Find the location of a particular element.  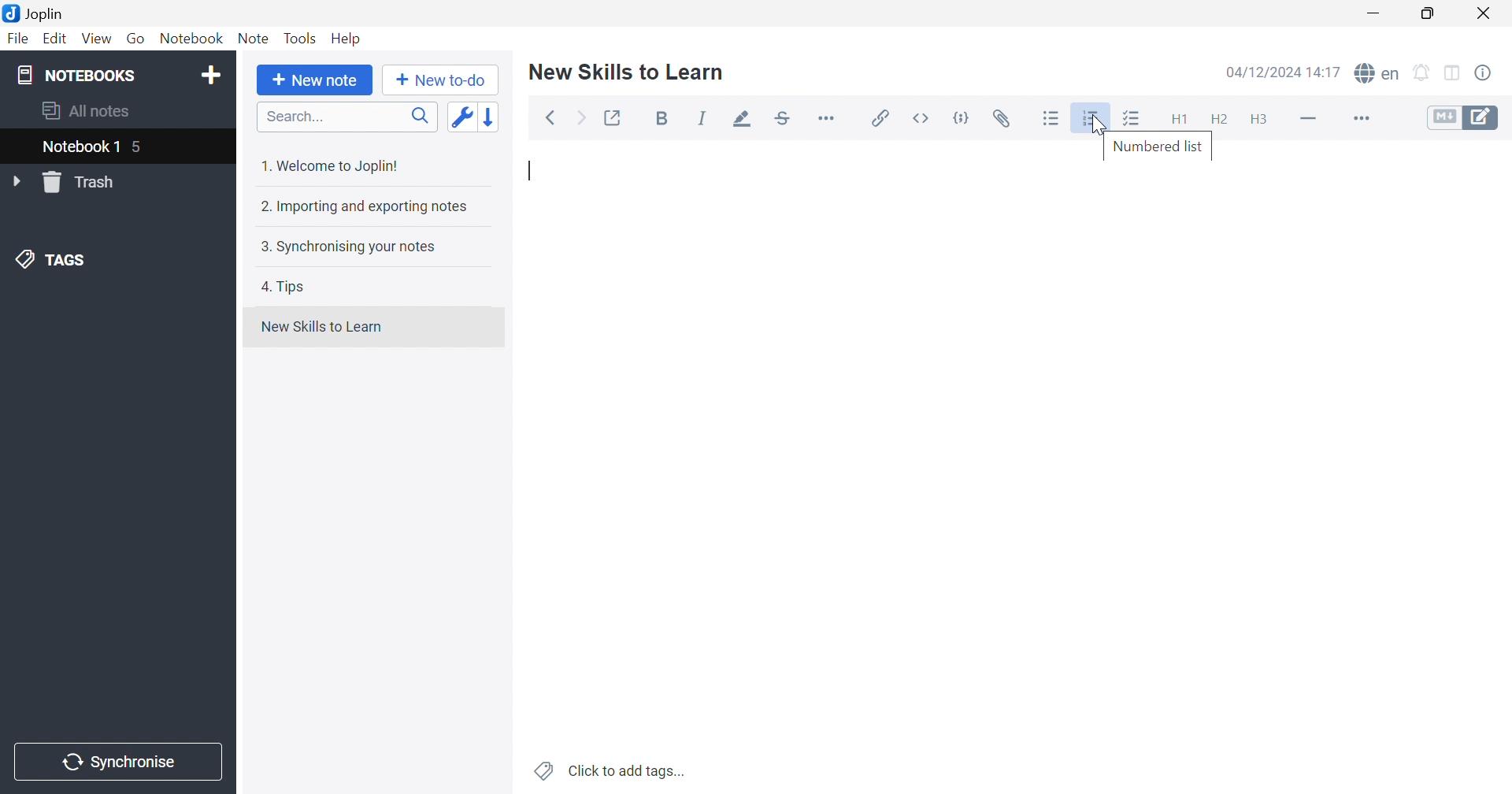

Bullet list is located at coordinates (1051, 119).